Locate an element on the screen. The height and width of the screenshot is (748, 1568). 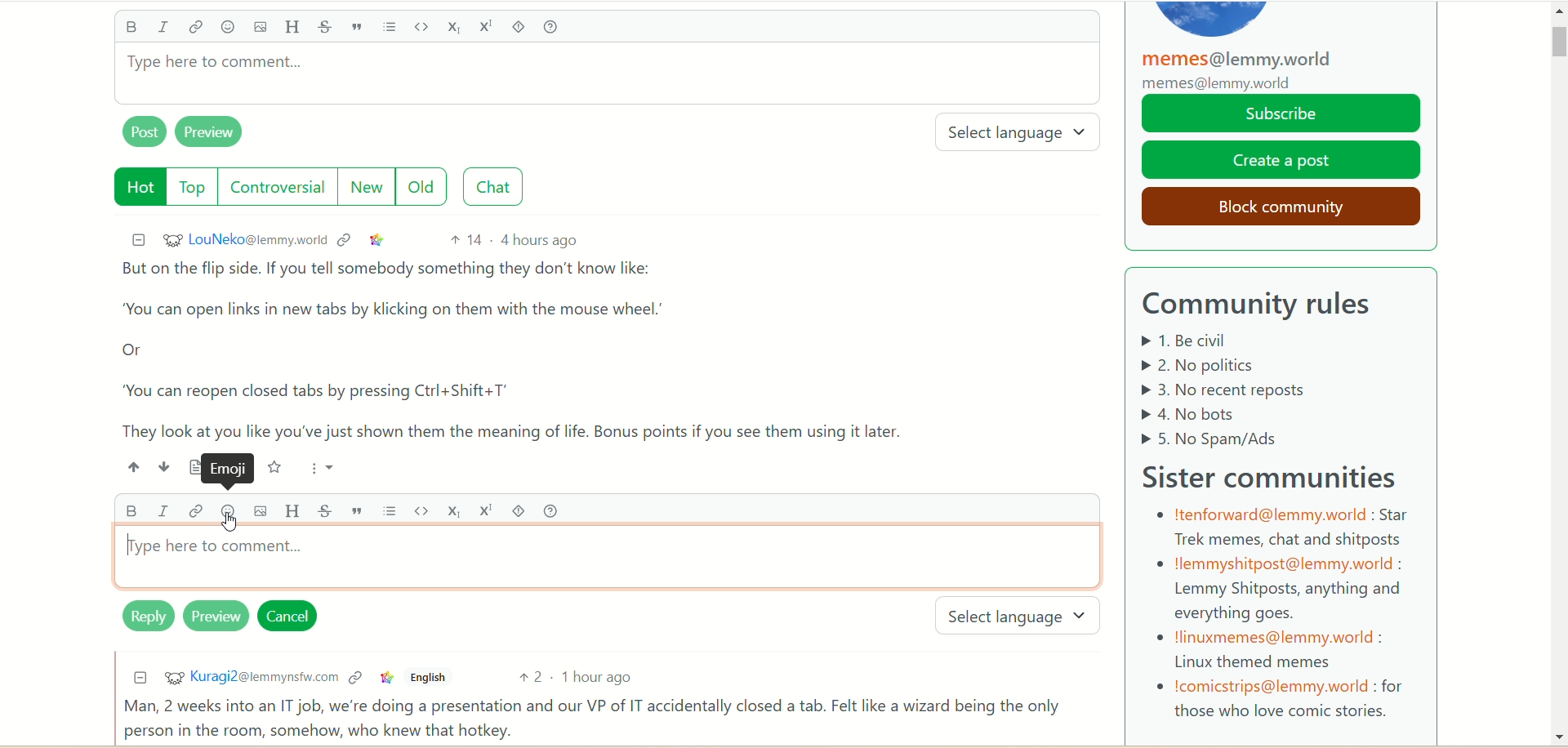
code is located at coordinates (421, 512).